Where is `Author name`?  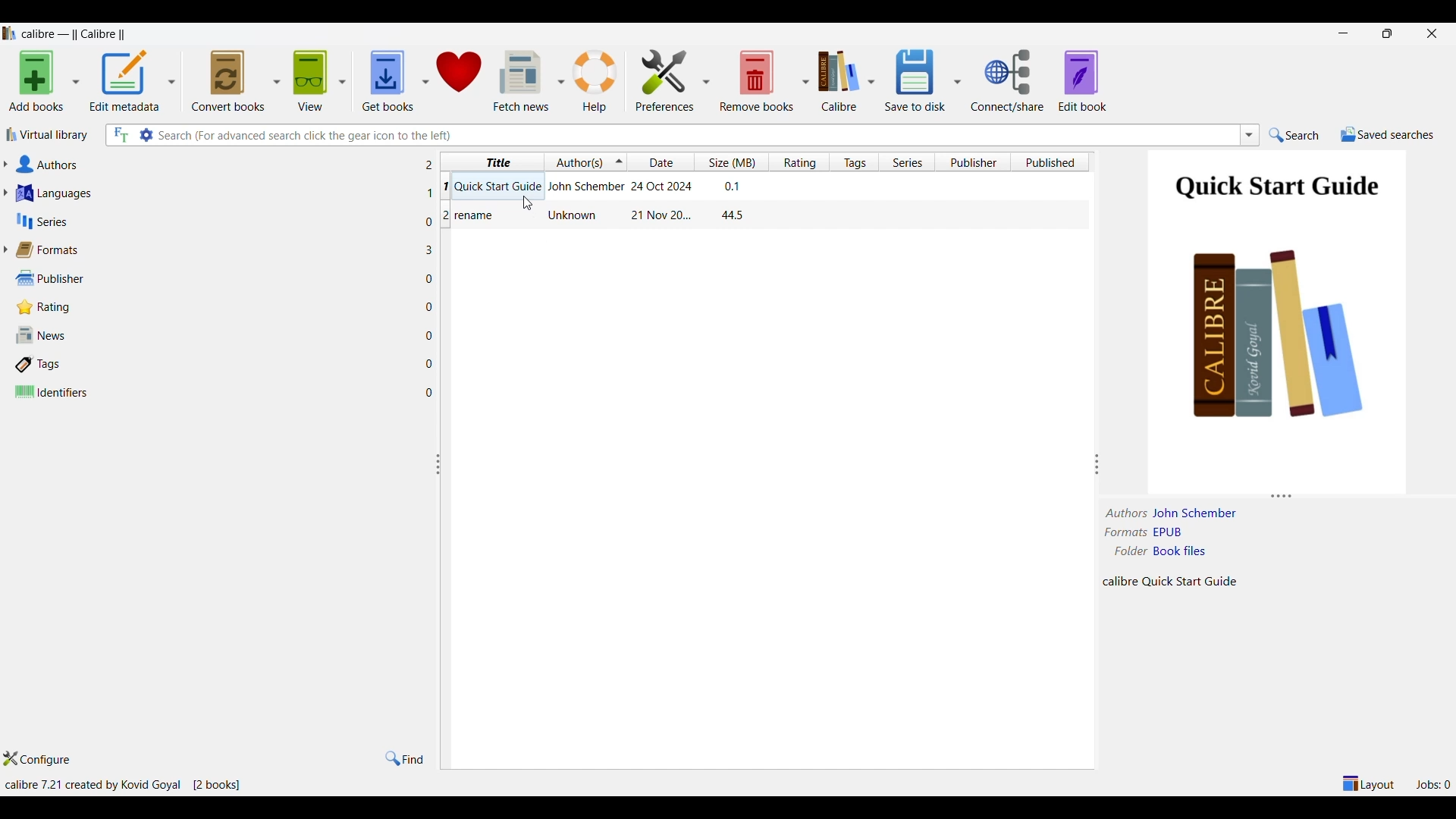
Author name is located at coordinates (1198, 513).